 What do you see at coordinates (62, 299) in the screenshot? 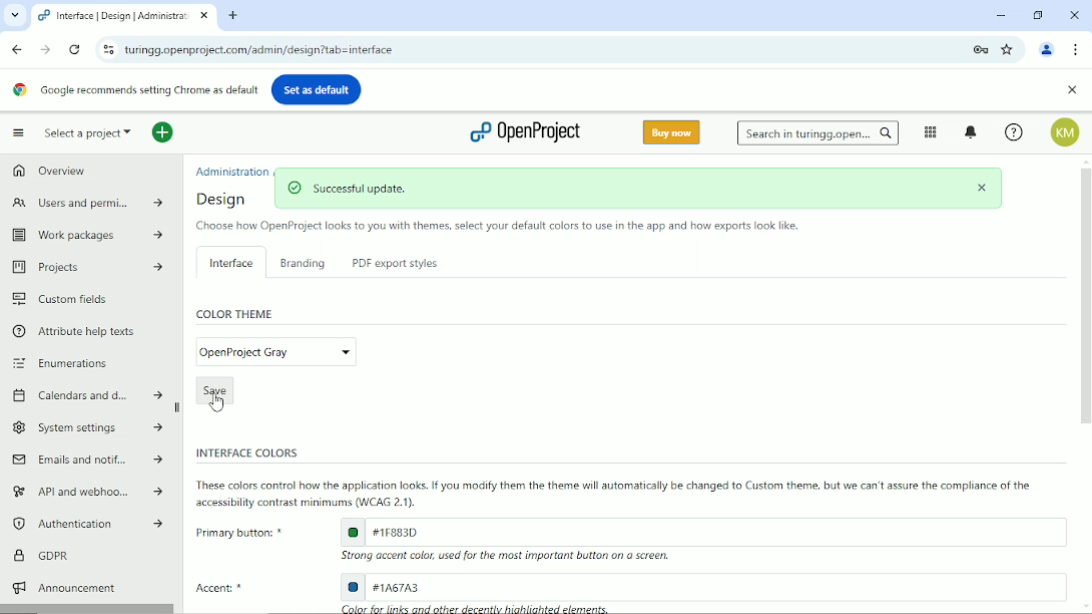
I see `Custom fields` at bounding box center [62, 299].